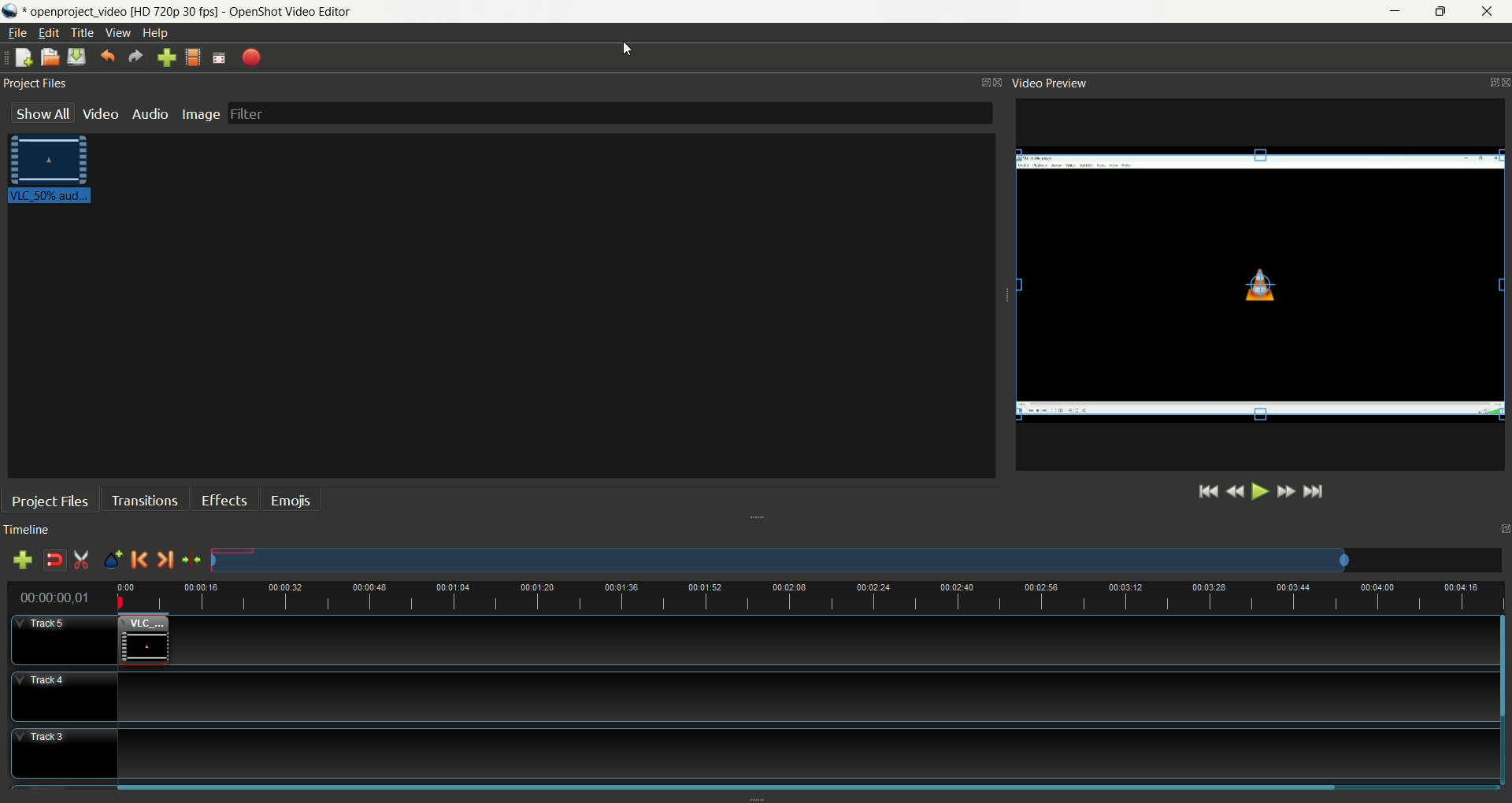  What do you see at coordinates (67, 698) in the screenshot?
I see `track4` at bounding box center [67, 698].